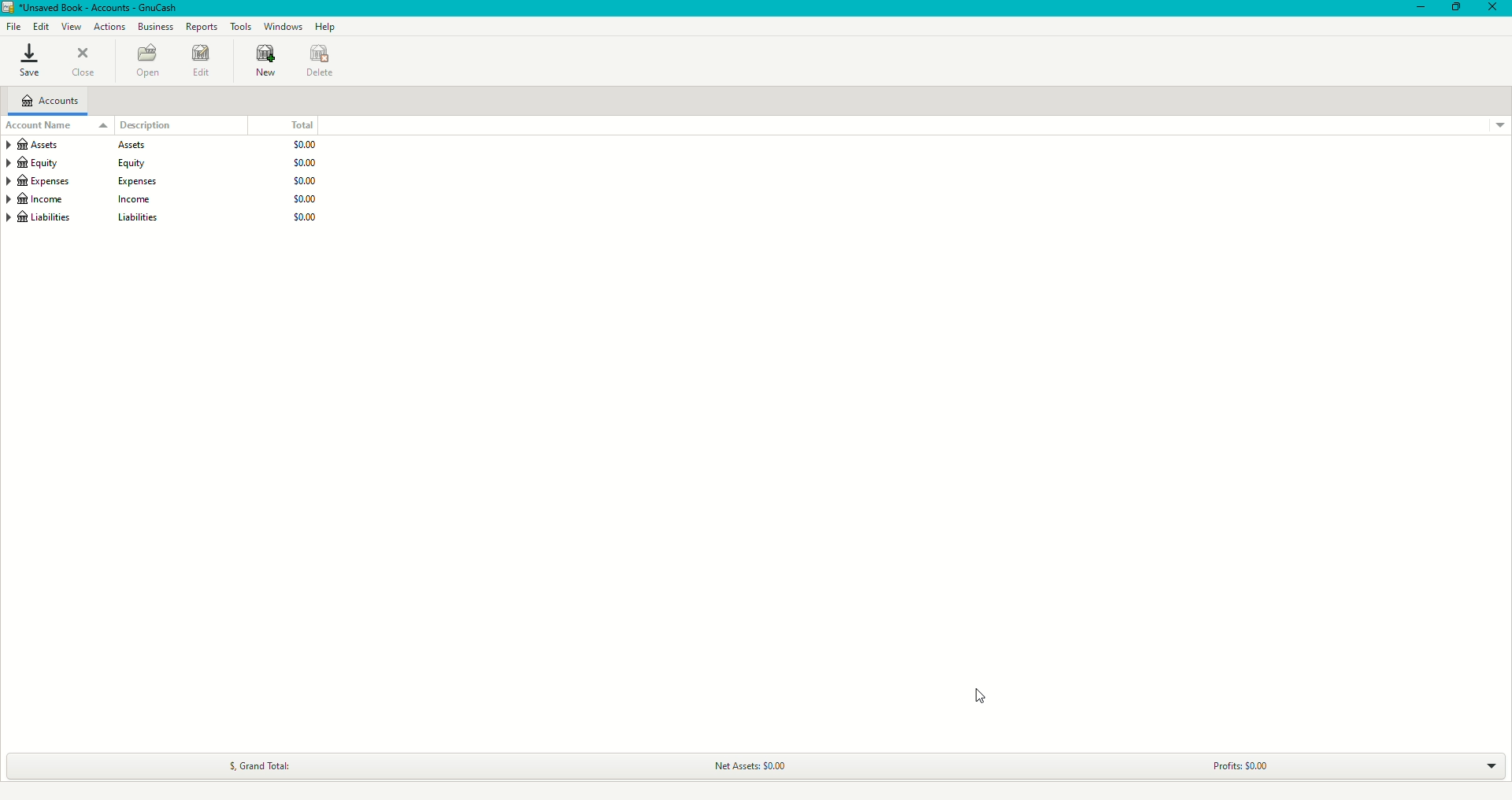  What do you see at coordinates (268, 63) in the screenshot?
I see `New` at bounding box center [268, 63].